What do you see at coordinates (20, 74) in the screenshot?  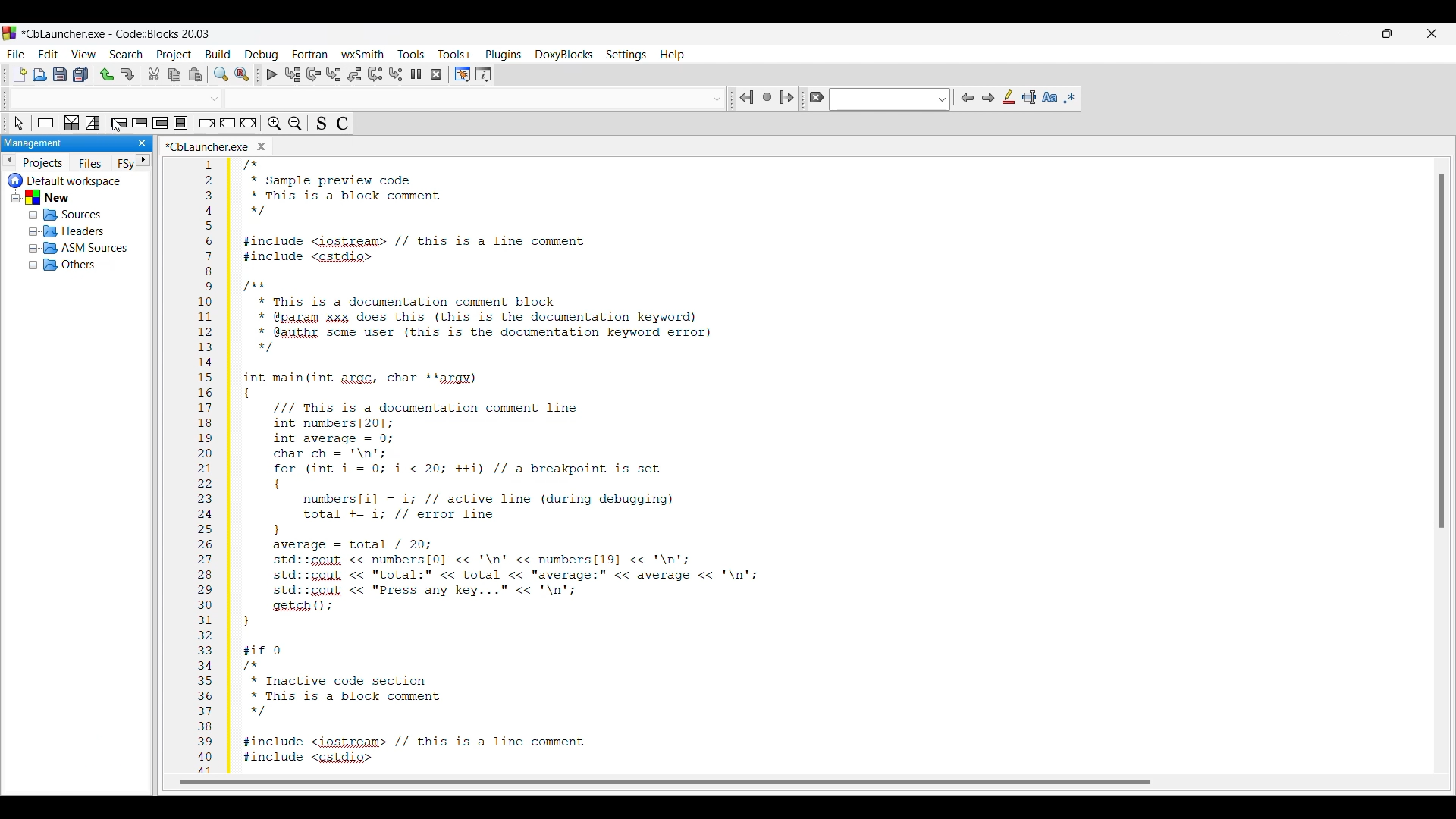 I see `New` at bounding box center [20, 74].